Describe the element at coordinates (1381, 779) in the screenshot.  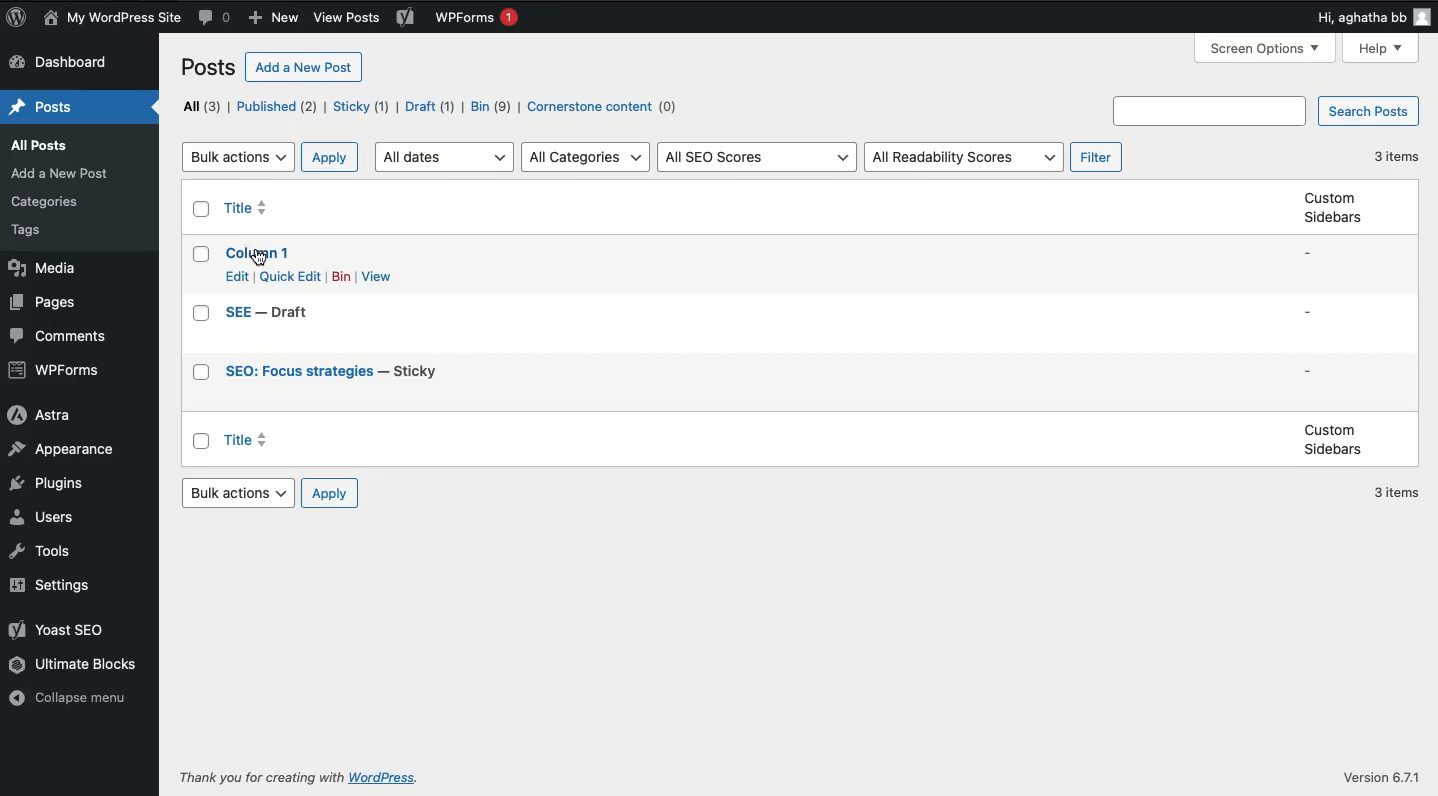
I see `Version 6.7.1` at that location.